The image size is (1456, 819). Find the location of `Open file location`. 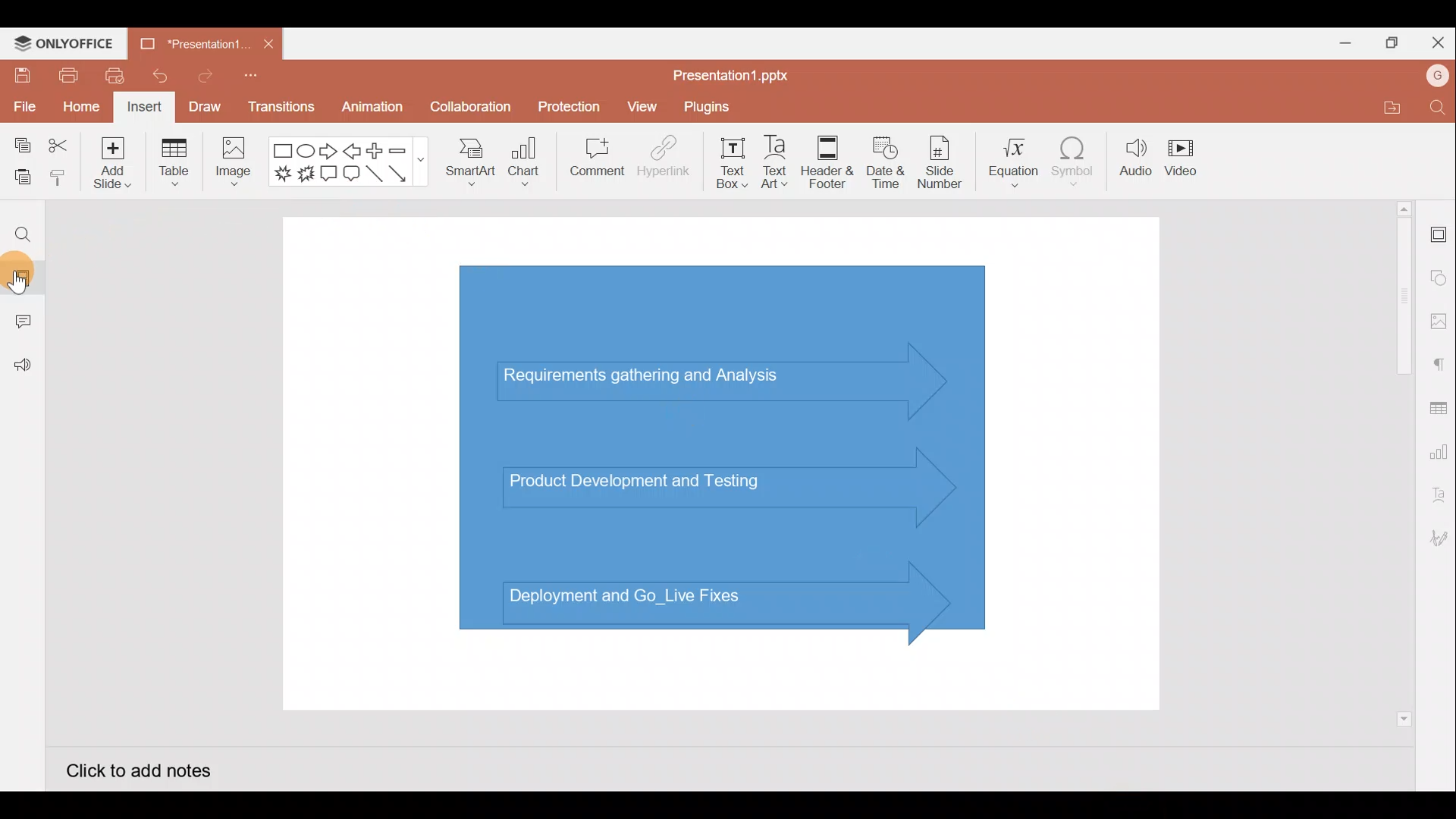

Open file location is located at coordinates (1382, 107).